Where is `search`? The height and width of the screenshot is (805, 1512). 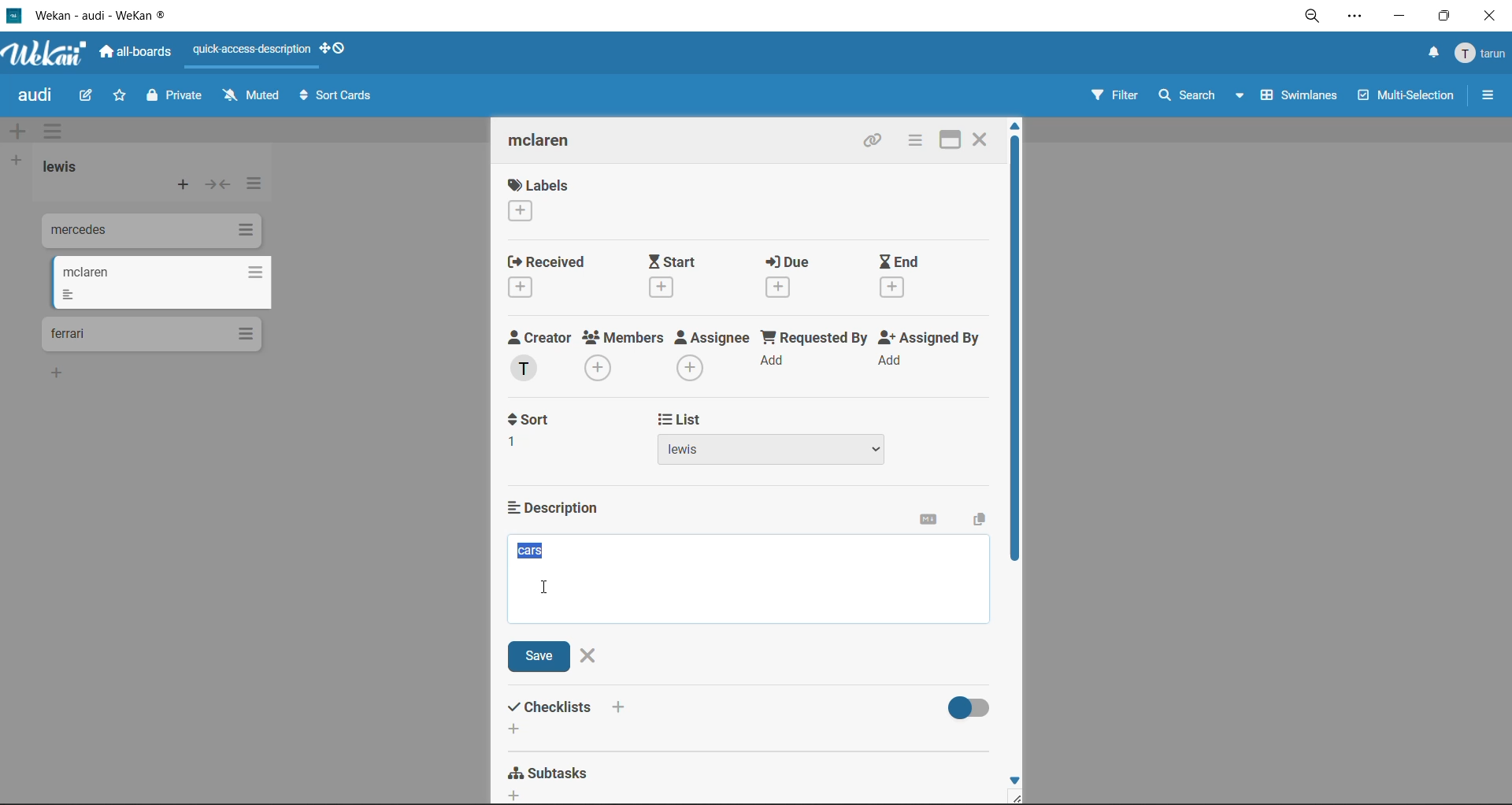
search is located at coordinates (1203, 96).